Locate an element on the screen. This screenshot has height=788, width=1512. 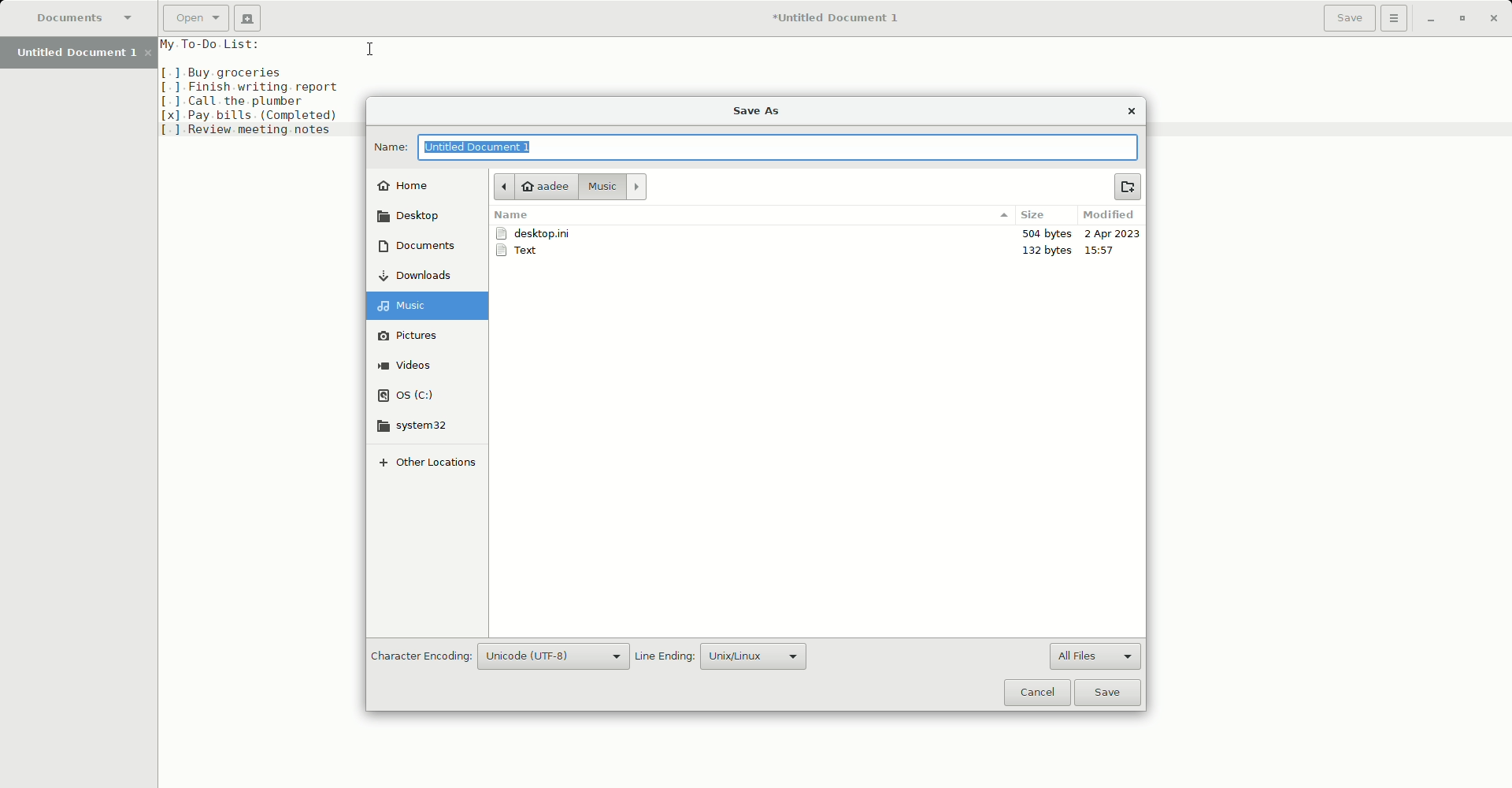
Other locations is located at coordinates (426, 466).